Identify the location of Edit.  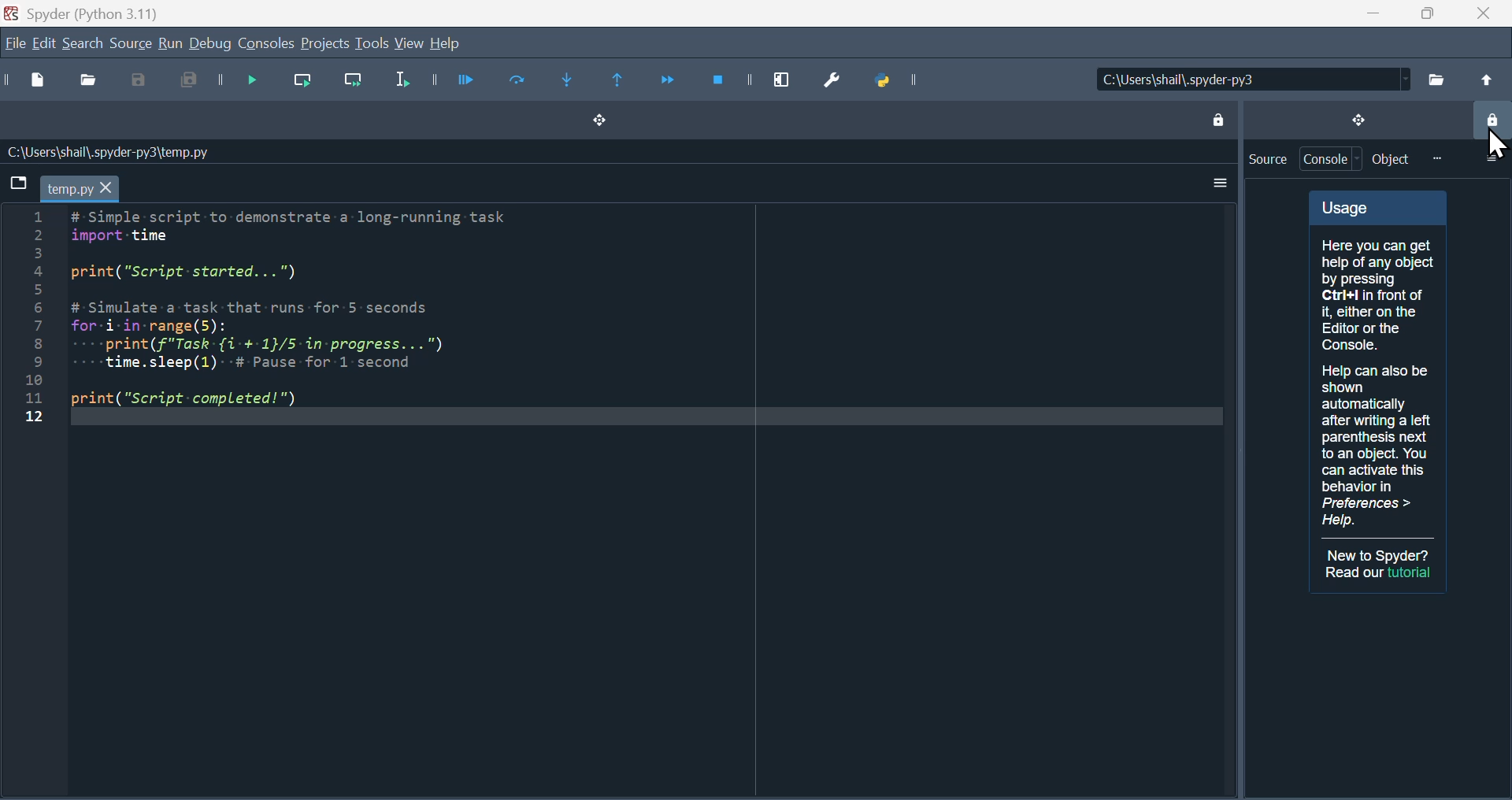
(42, 45).